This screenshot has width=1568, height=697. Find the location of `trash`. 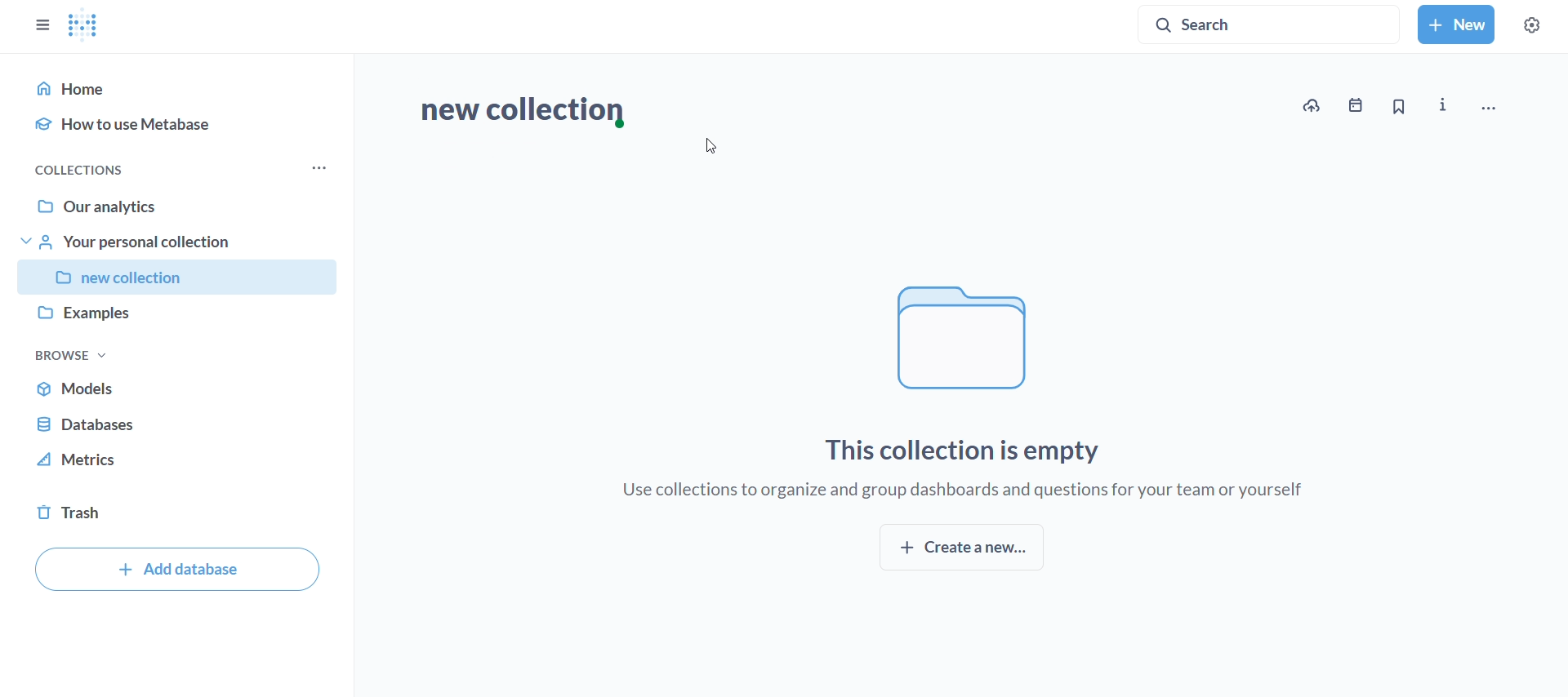

trash is located at coordinates (180, 517).